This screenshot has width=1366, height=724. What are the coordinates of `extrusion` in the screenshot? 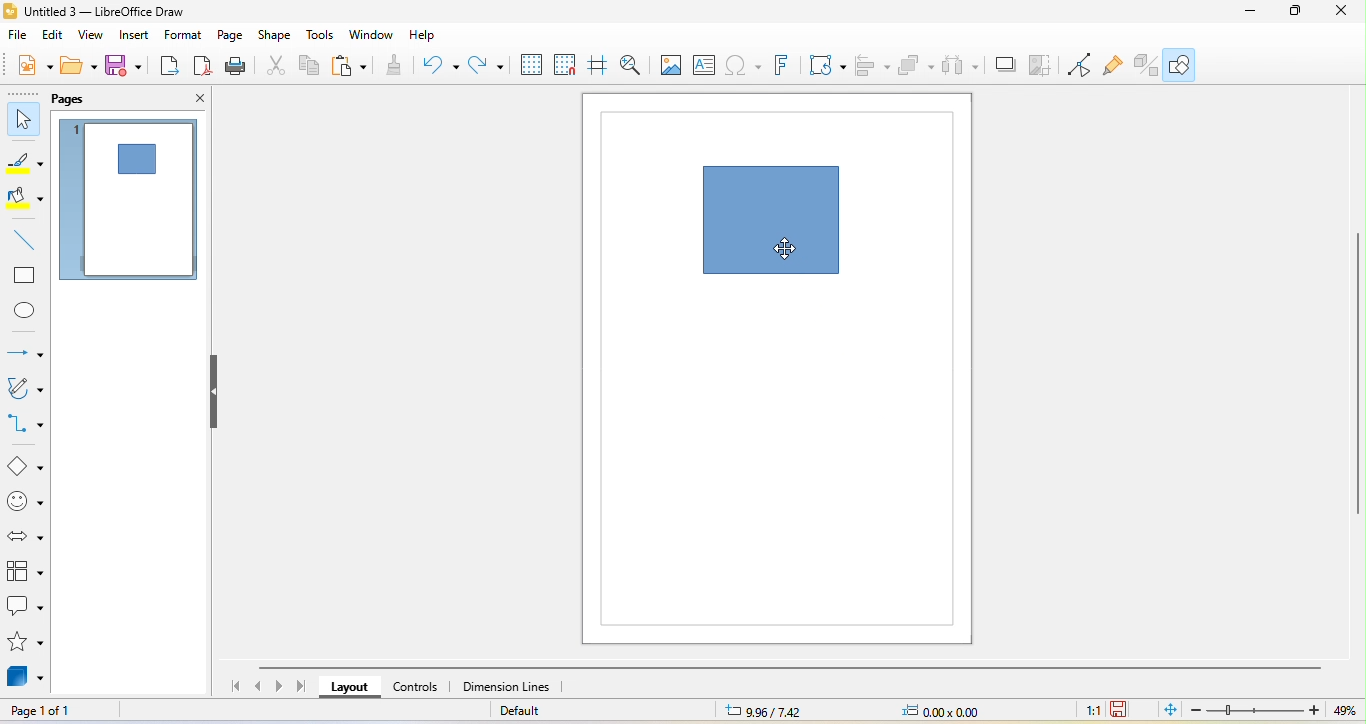 It's located at (1147, 65).